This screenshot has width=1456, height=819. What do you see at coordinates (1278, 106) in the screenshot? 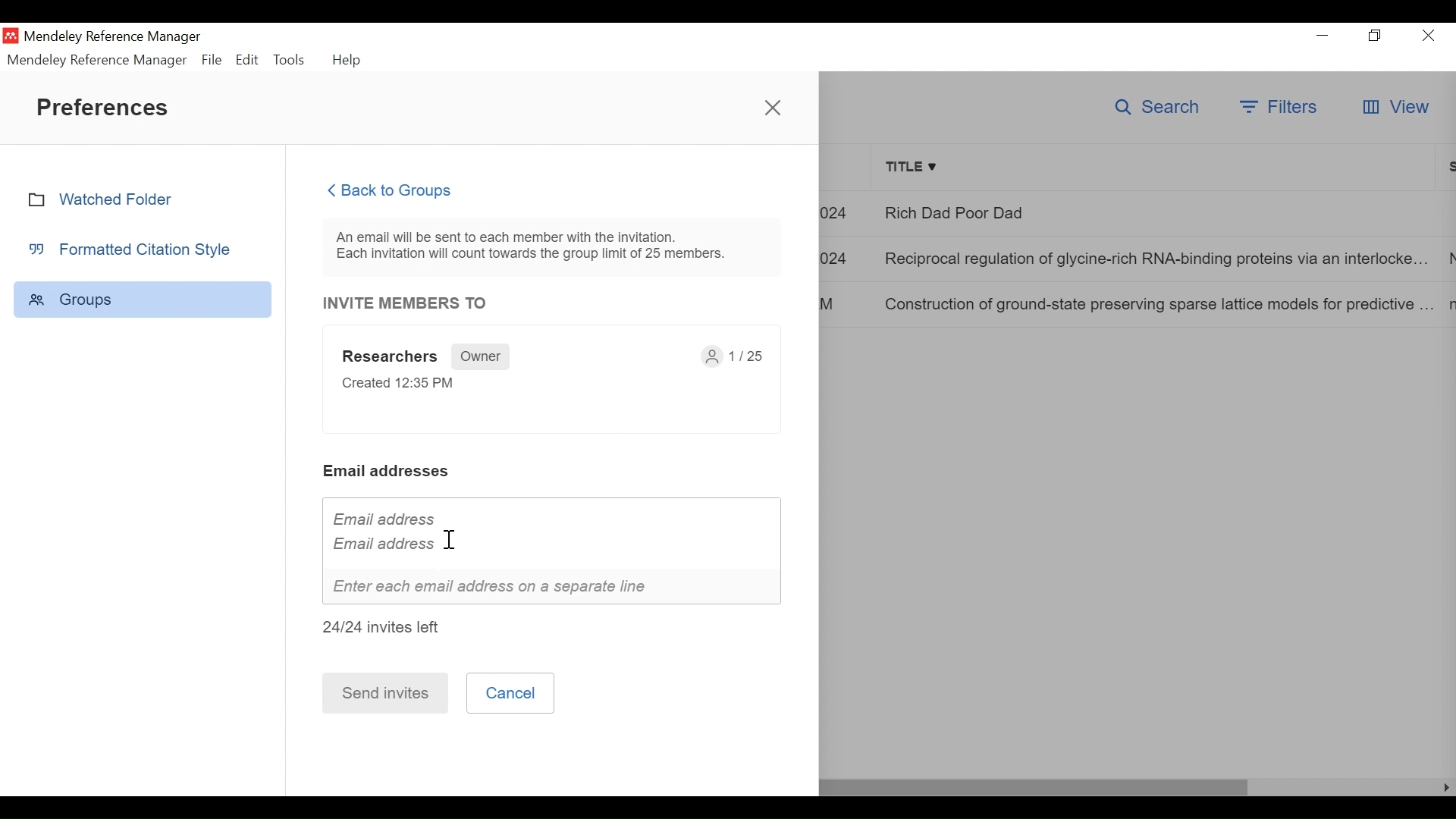
I see `Filters` at bounding box center [1278, 106].